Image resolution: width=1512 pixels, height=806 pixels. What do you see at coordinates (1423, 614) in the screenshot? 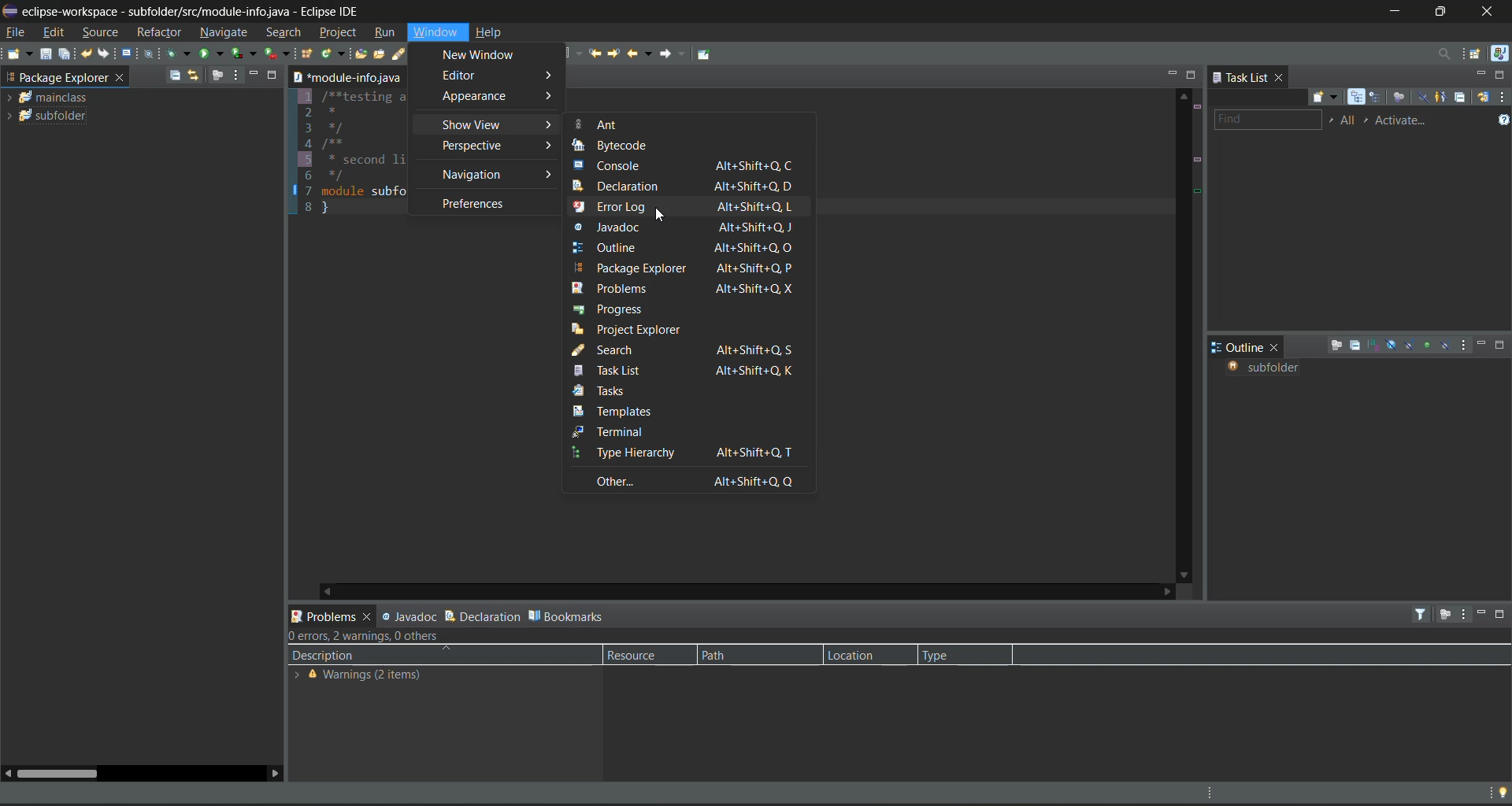
I see `filters` at bounding box center [1423, 614].